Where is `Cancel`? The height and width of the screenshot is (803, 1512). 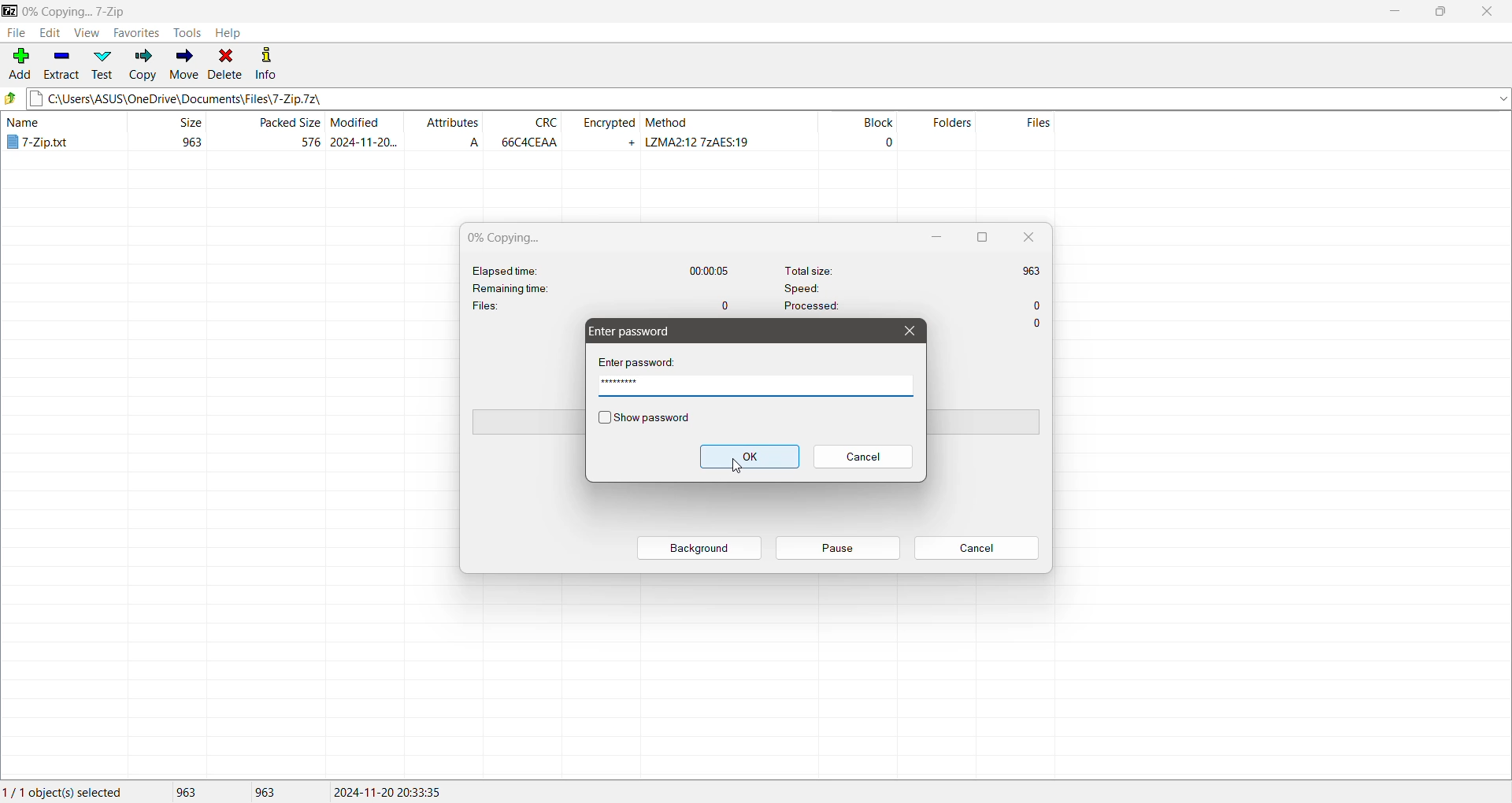
Cancel is located at coordinates (862, 457).